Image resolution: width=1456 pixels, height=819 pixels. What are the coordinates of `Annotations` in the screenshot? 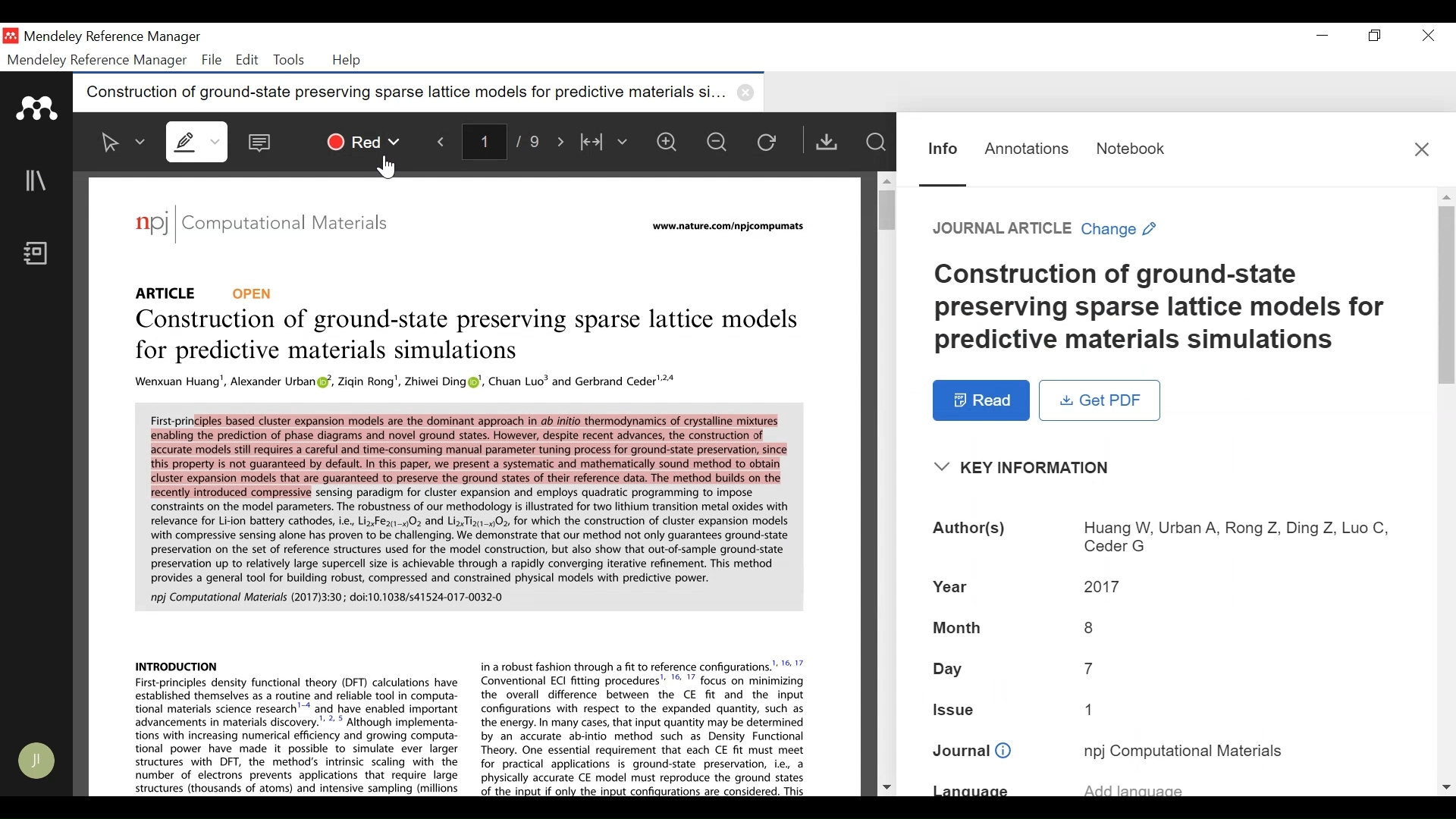 It's located at (1026, 152).